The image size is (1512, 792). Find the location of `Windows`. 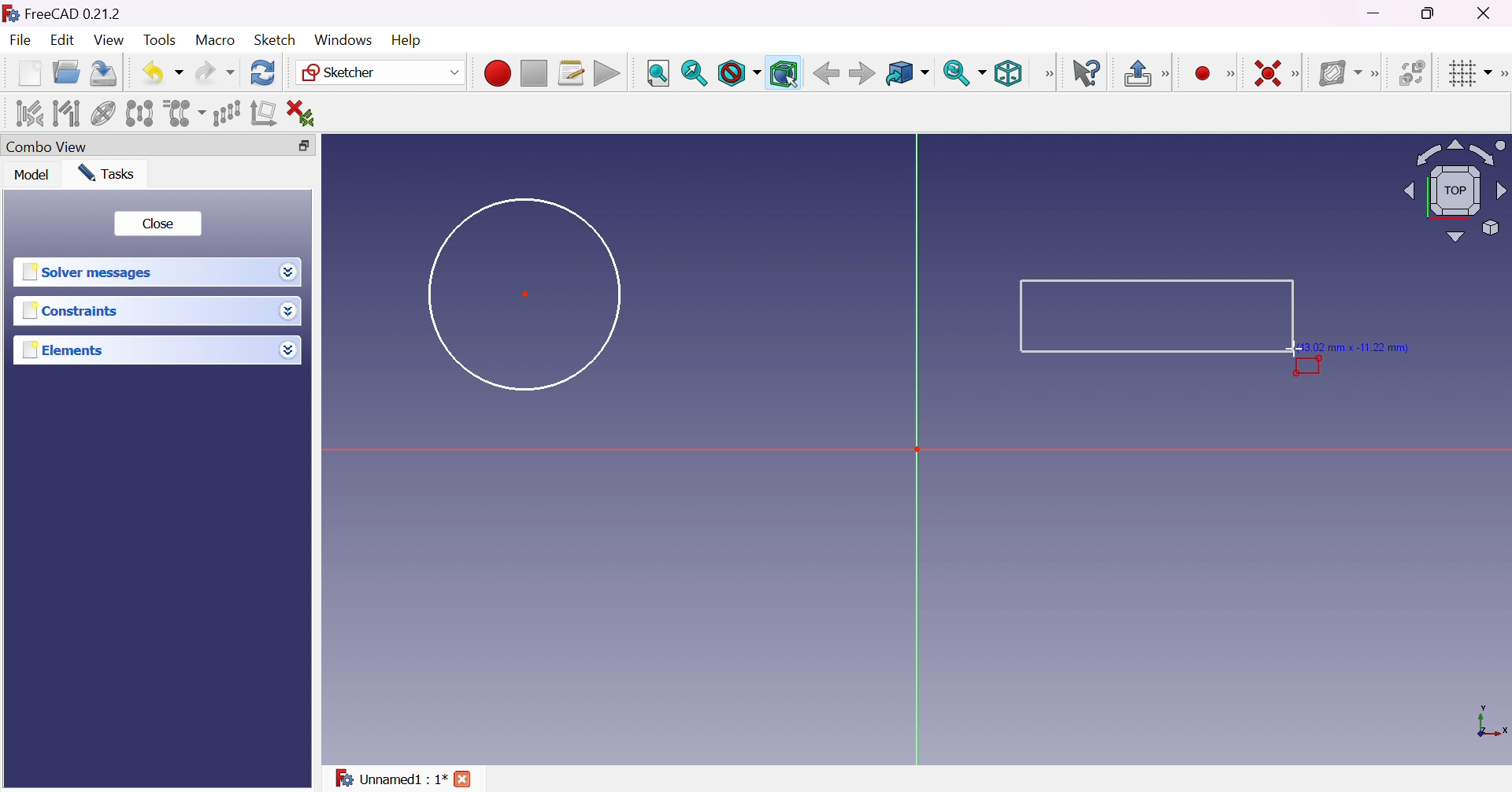

Windows is located at coordinates (342, 39).